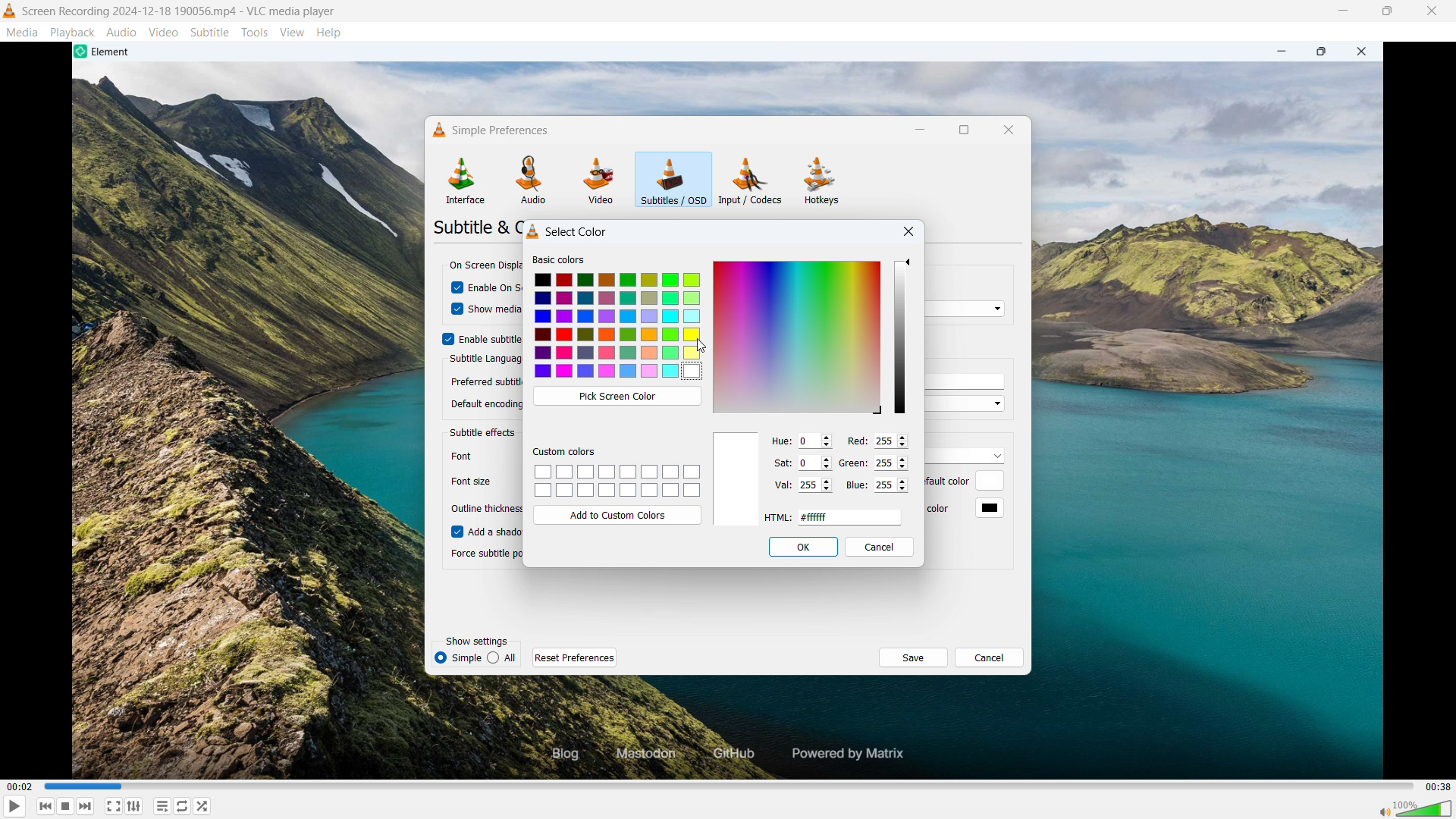 This screenshot has width=1456, height=819. What do you see at coordinates (484, 379) in the screenshot?
I see `| Preferred subtitle language` at bounding box center [484, 379].